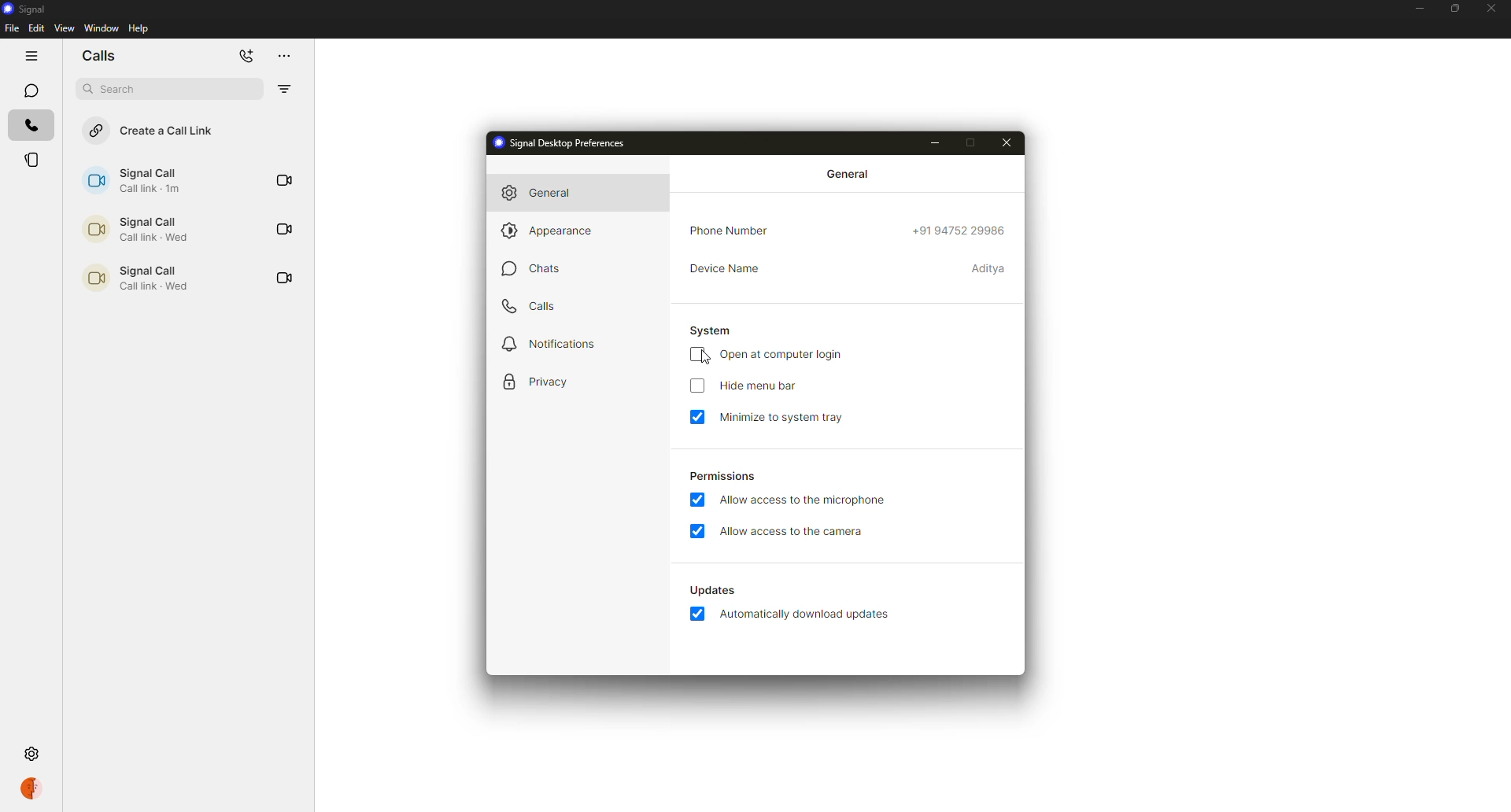  I want to click on filter, so click(283, 90).